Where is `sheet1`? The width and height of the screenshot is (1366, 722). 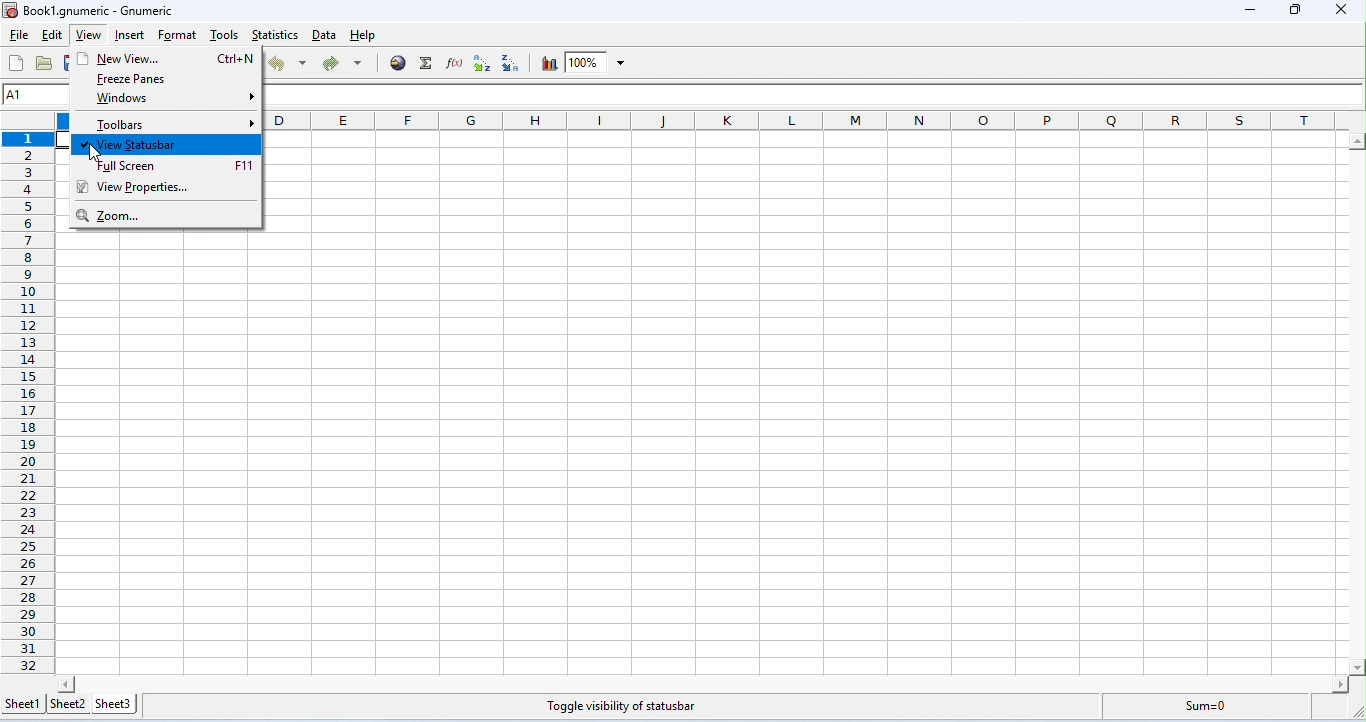 sheet1 is located at coordinates (21, 707).